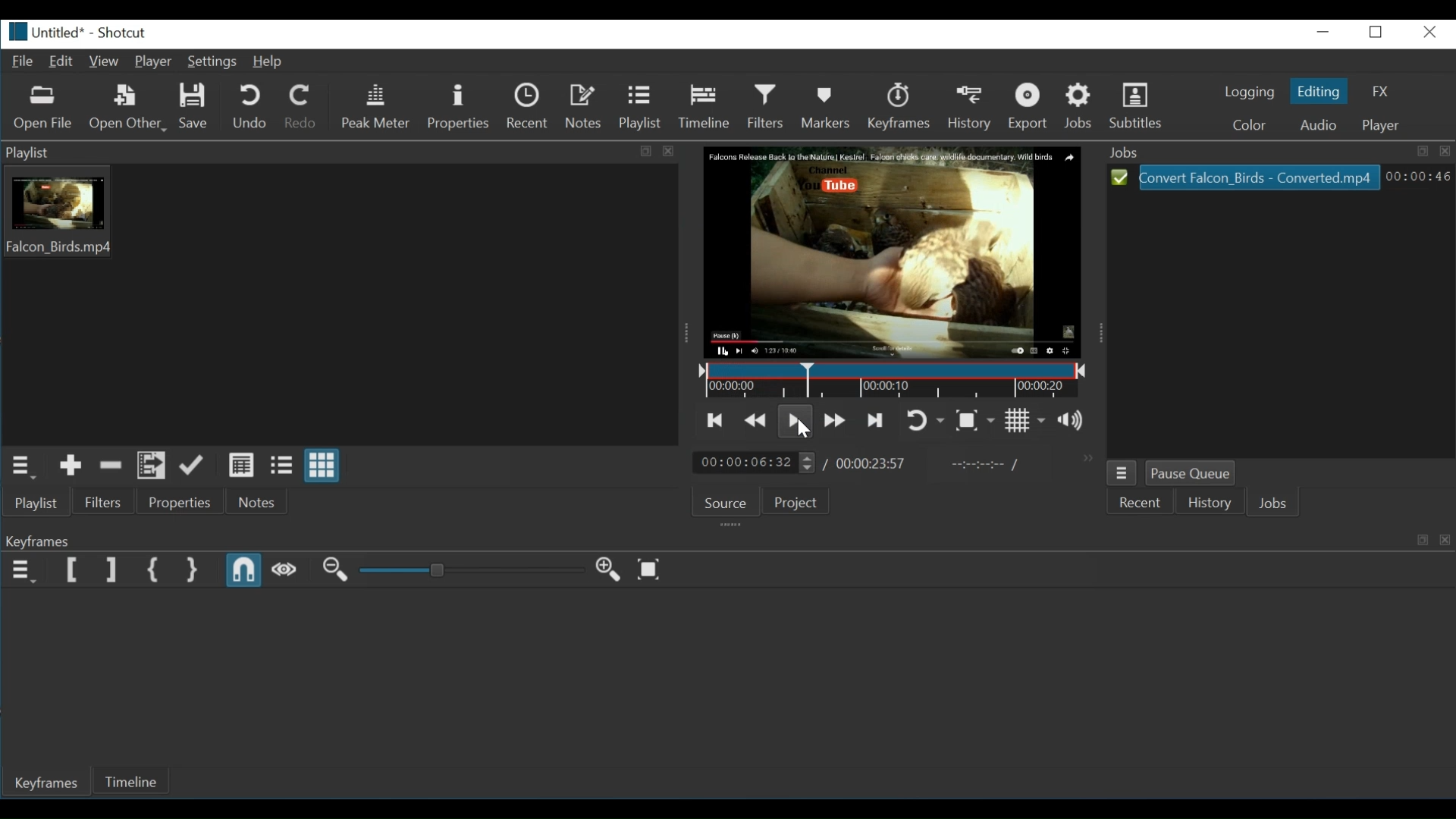 Image resolution: width=1456 pixels, height=819 pixels. Describe the element at coordinates (322, 466) in the screenshot. I see `View as icons` at that location.